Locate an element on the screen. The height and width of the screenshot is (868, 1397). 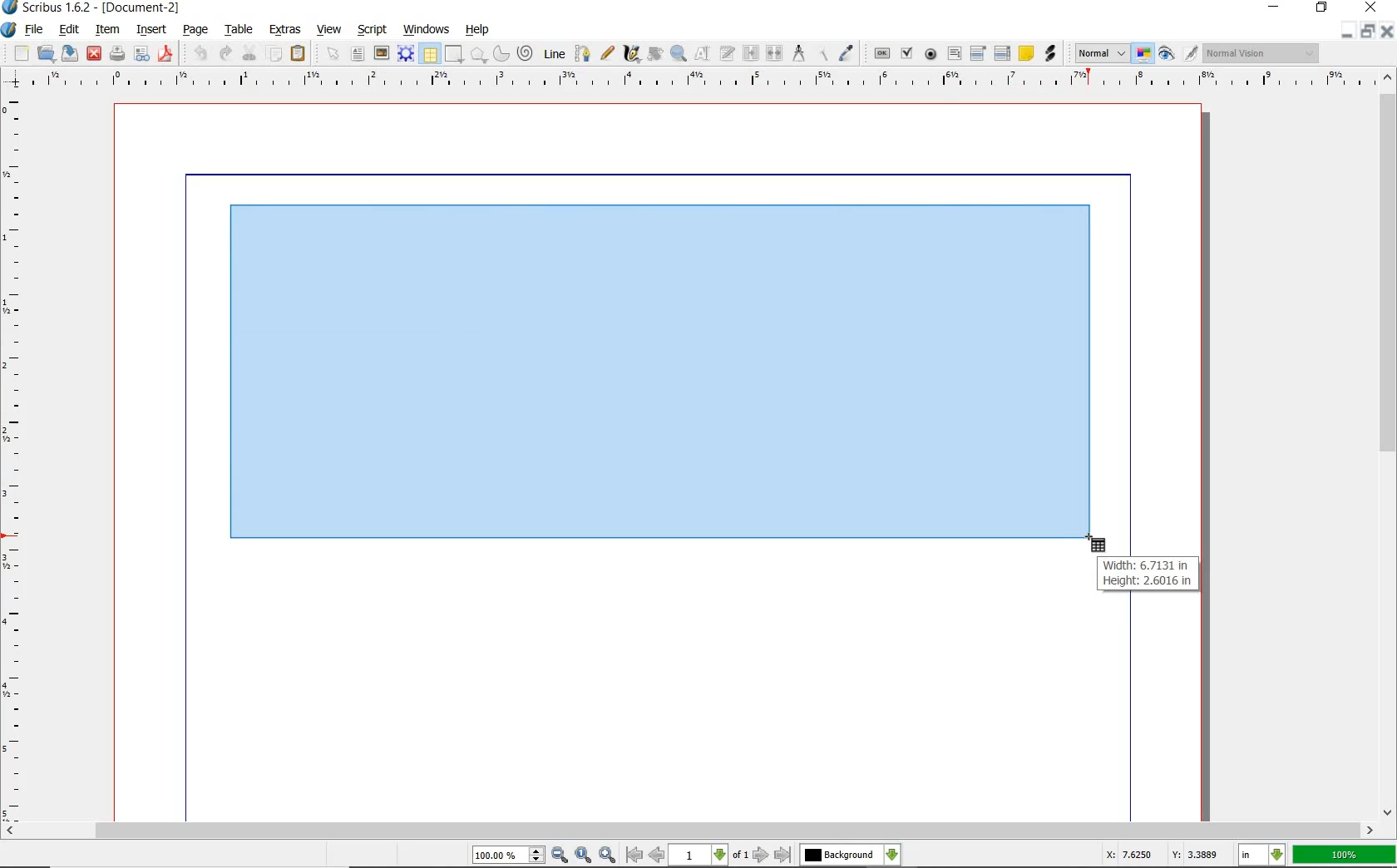
extras is located at coordinates (284, 30).